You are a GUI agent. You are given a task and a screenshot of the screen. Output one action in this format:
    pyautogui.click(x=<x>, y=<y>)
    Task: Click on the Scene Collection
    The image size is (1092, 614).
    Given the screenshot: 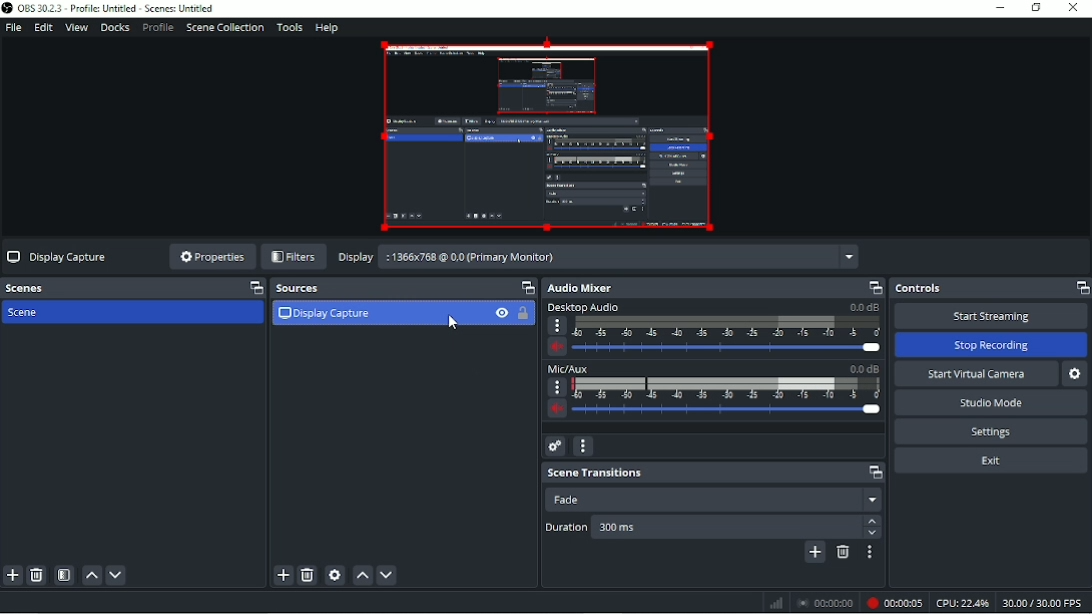 What is the action you would take?
    pyautogui.click(x=224, y=28)
    